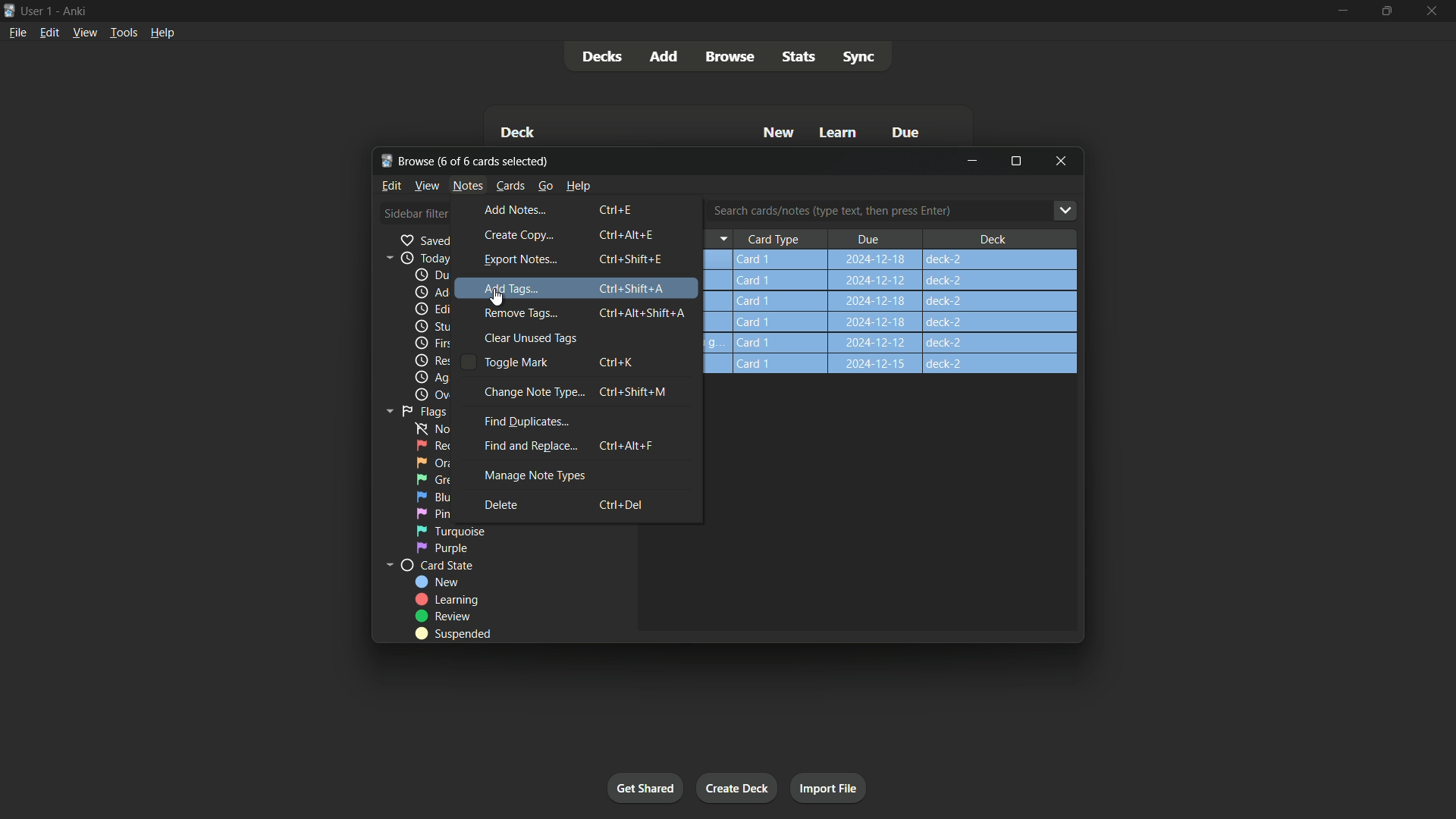  What do you see at coordinates (469, 186) in the screenshot?
I see `Notes` at bounding box center [469, 186].